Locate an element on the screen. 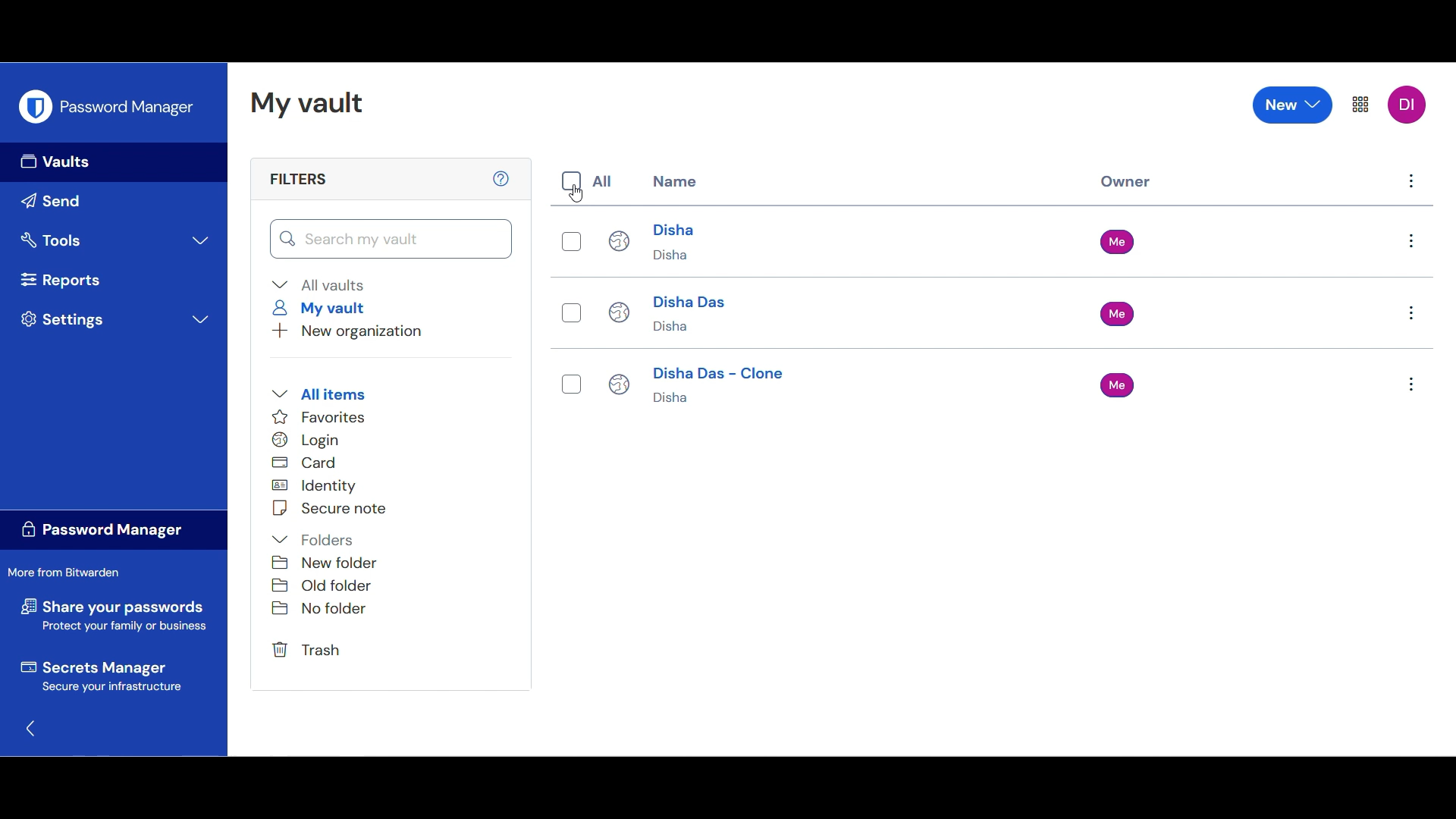  Filters is located at coordinates (297, 178).